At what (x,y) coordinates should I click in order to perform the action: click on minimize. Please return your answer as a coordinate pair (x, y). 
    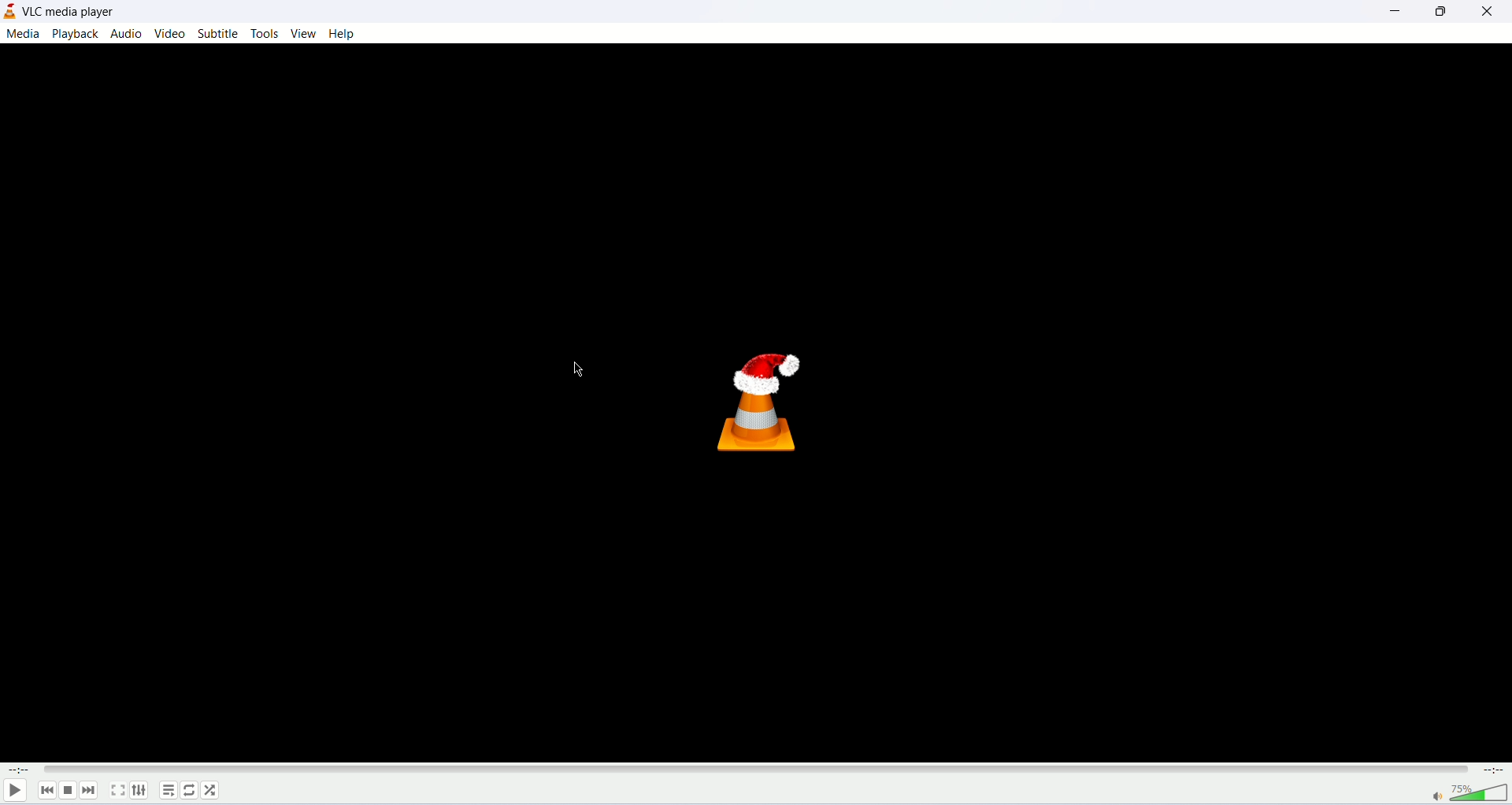
    Looking at the image, I should click on (1396, 12).